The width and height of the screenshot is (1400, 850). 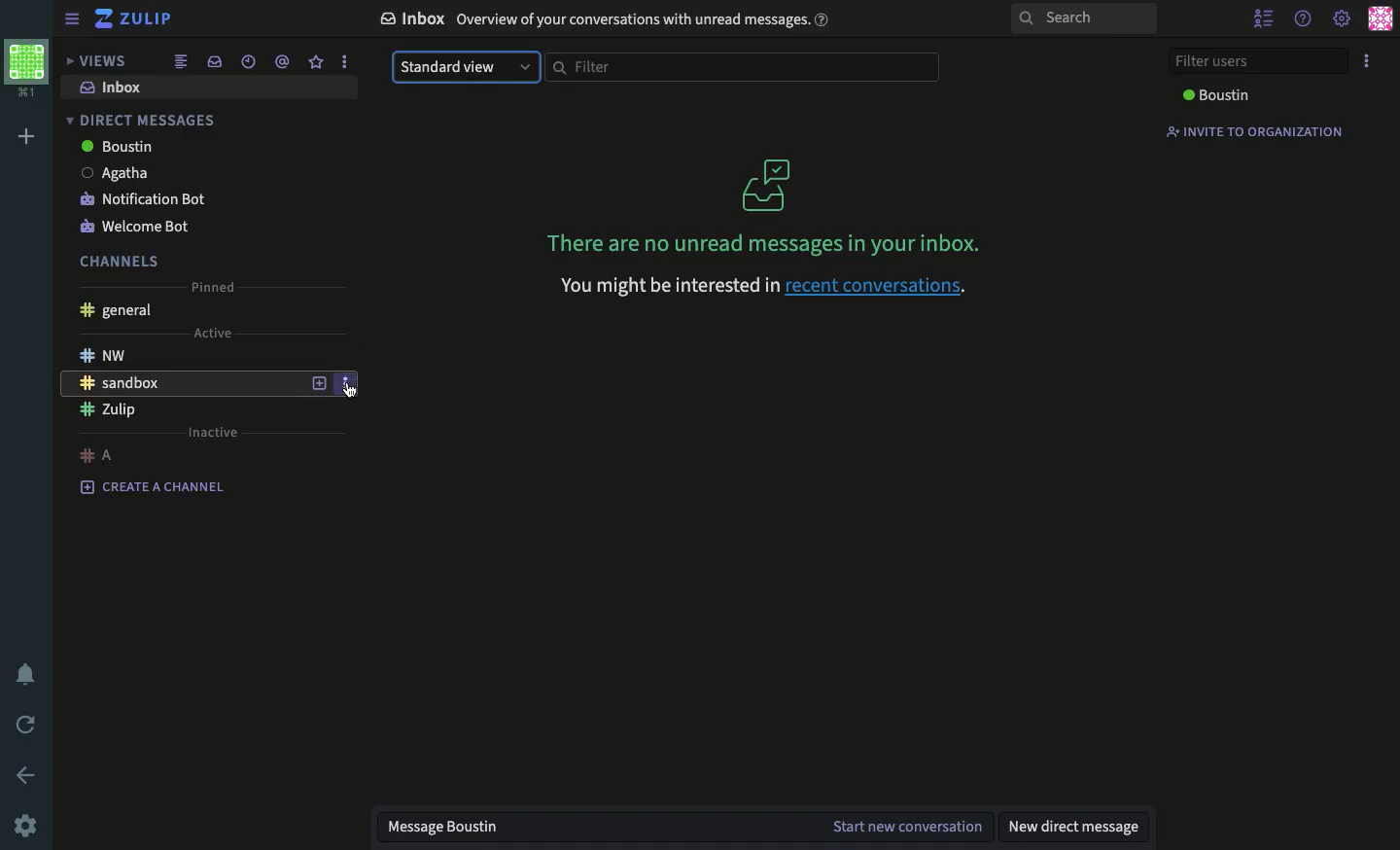 What do you see at coordinates (120, 147) in the screenshot?
I see `boustin` at bounding box center [120, 147].